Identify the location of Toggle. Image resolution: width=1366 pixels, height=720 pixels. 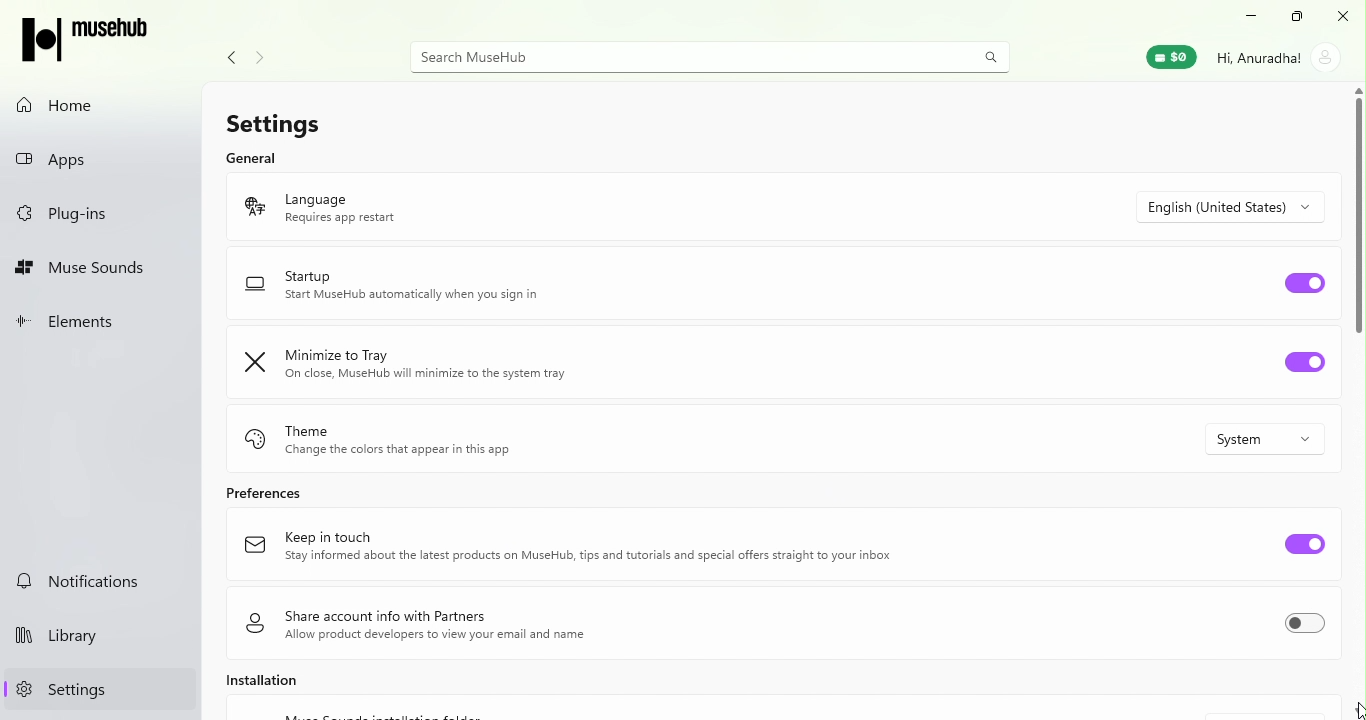
(1307, 286).